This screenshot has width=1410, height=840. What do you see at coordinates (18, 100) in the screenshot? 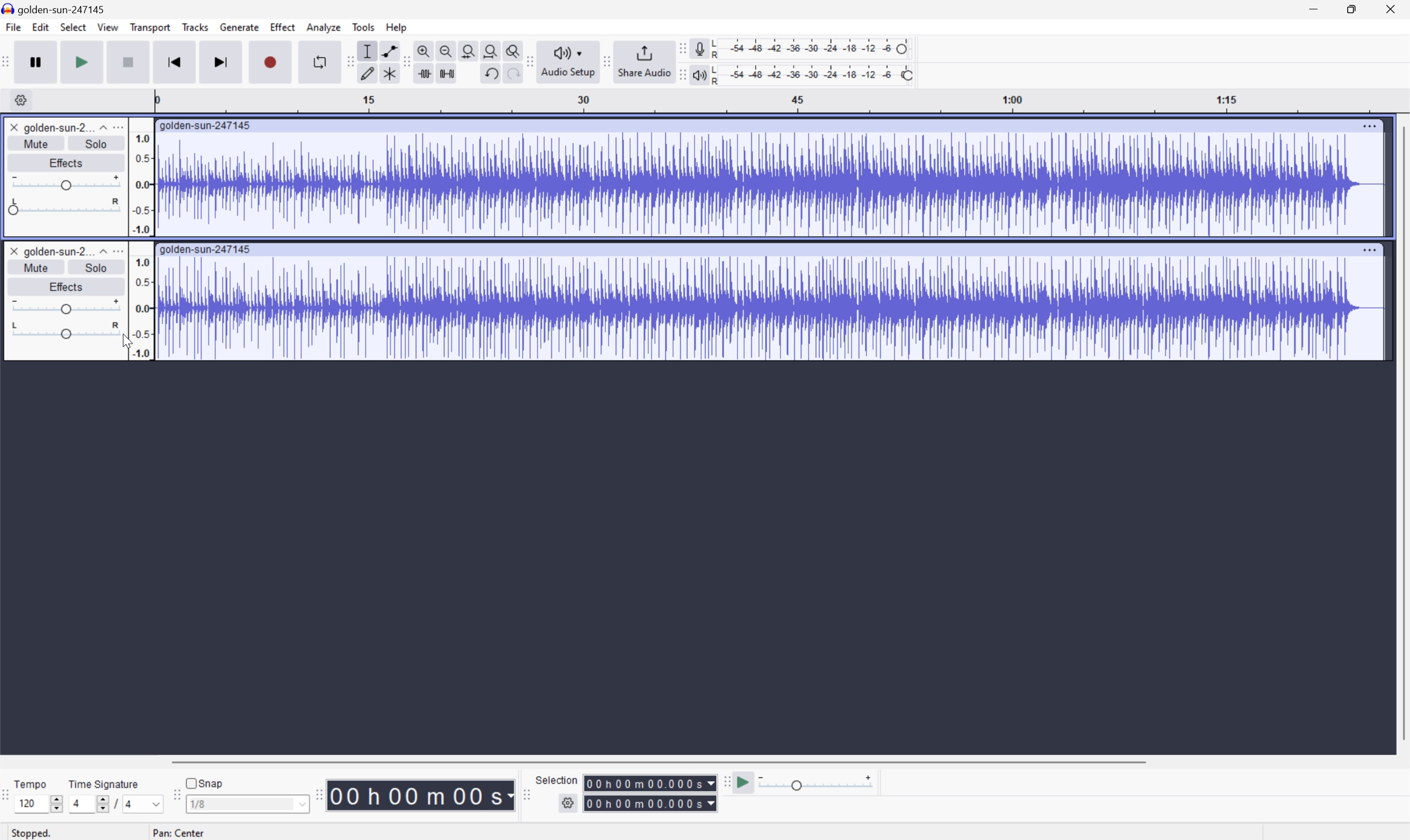
I see `Settings` at bounding box center [18, 100].